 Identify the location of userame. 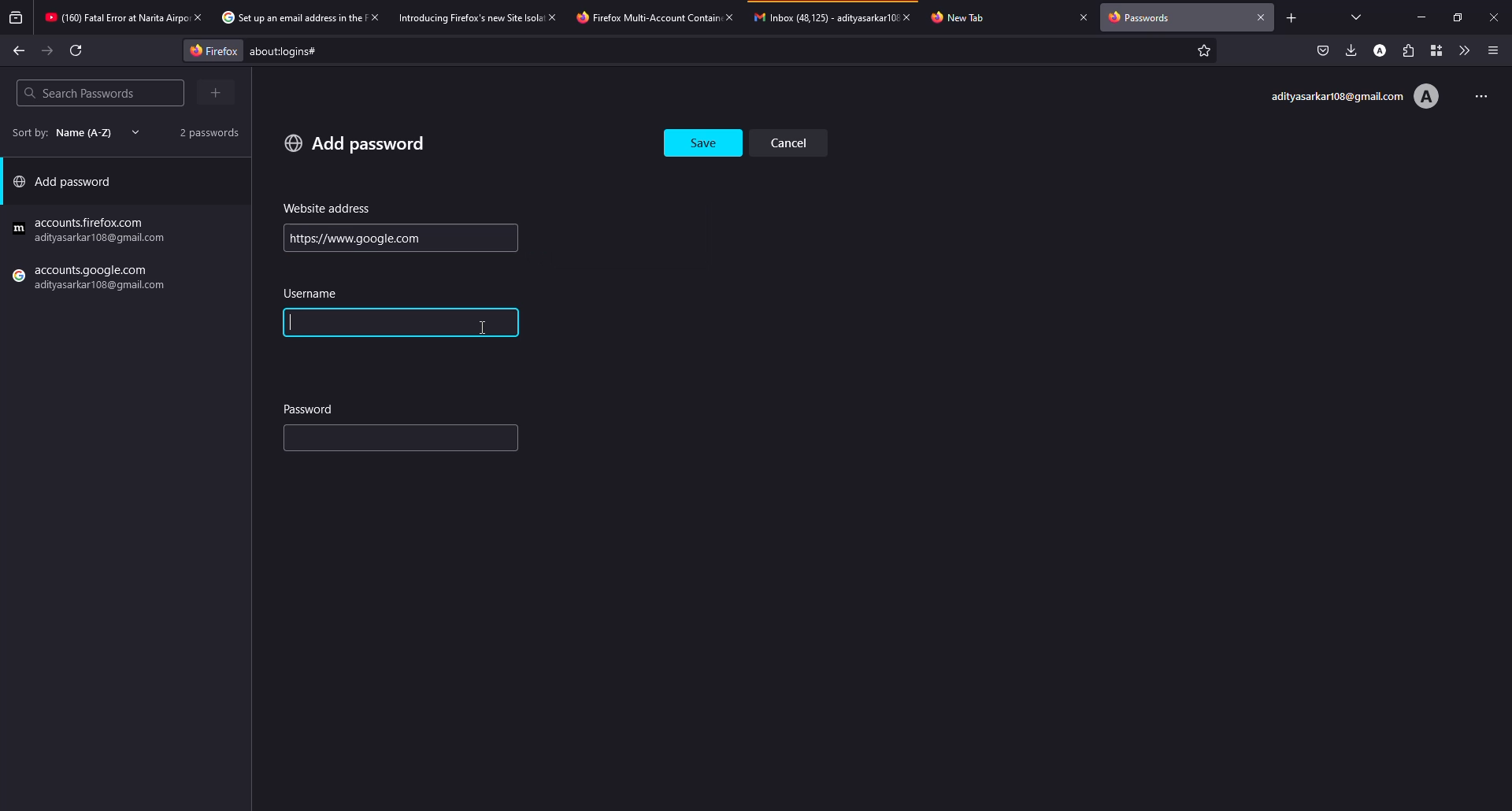
(315, 294).